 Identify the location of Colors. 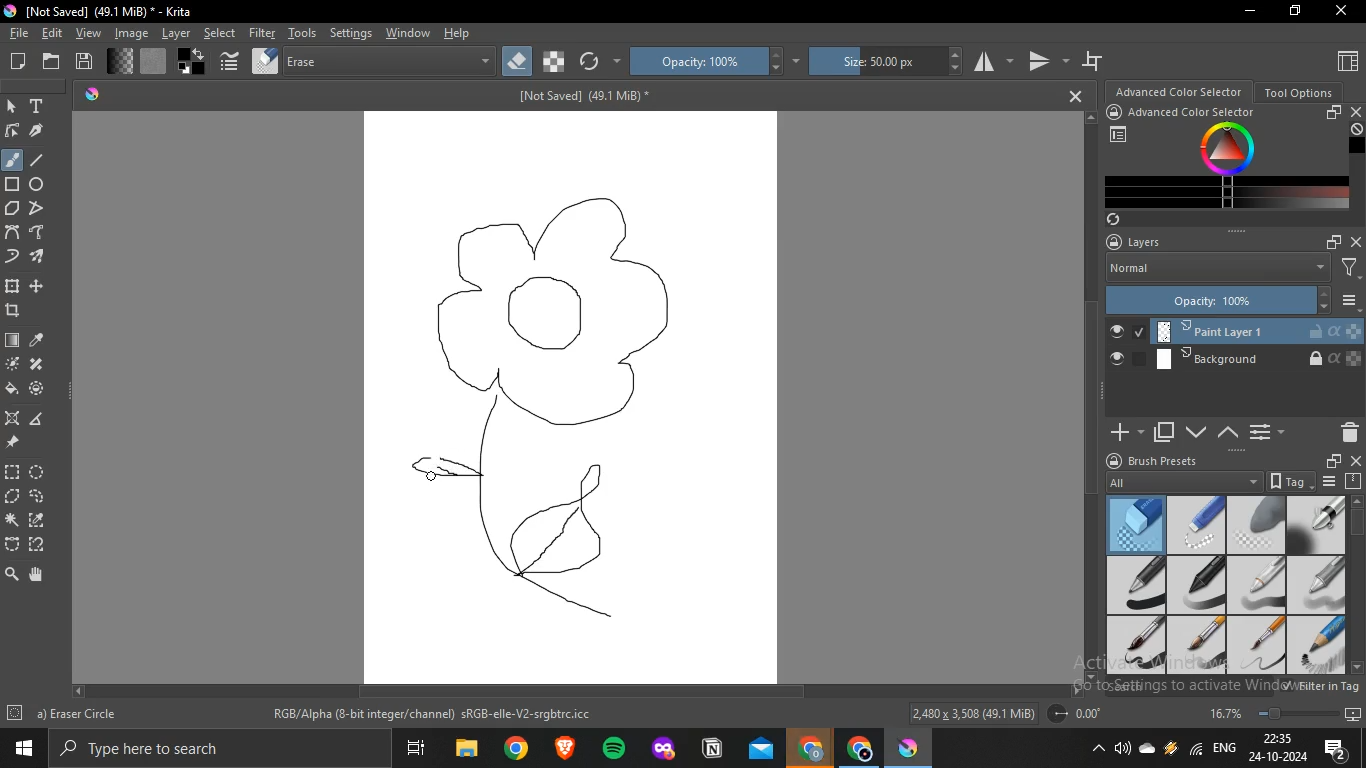
(1230, 148).